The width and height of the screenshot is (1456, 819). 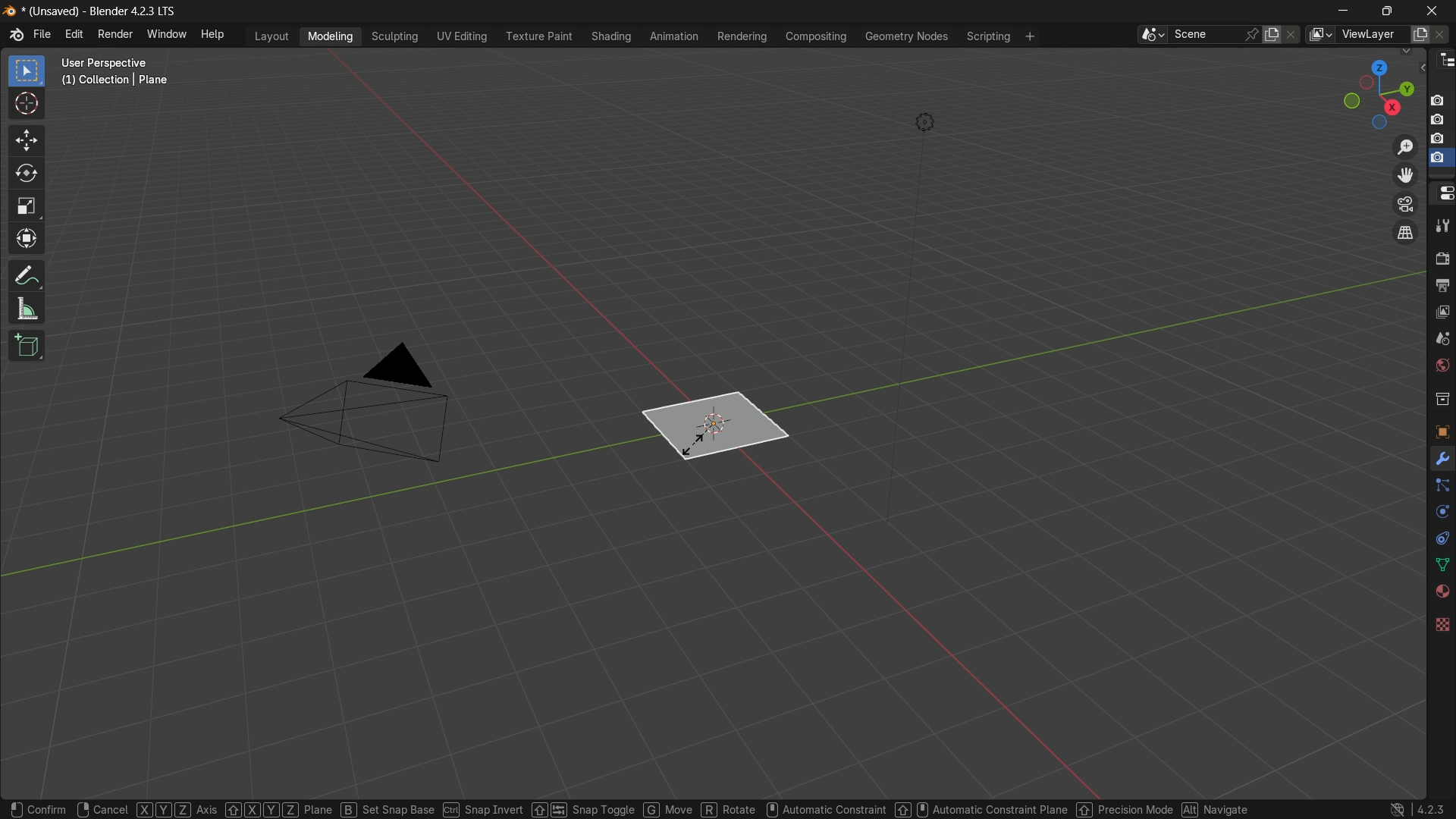 I want to click on snap invert, so click(x=516, y=805).